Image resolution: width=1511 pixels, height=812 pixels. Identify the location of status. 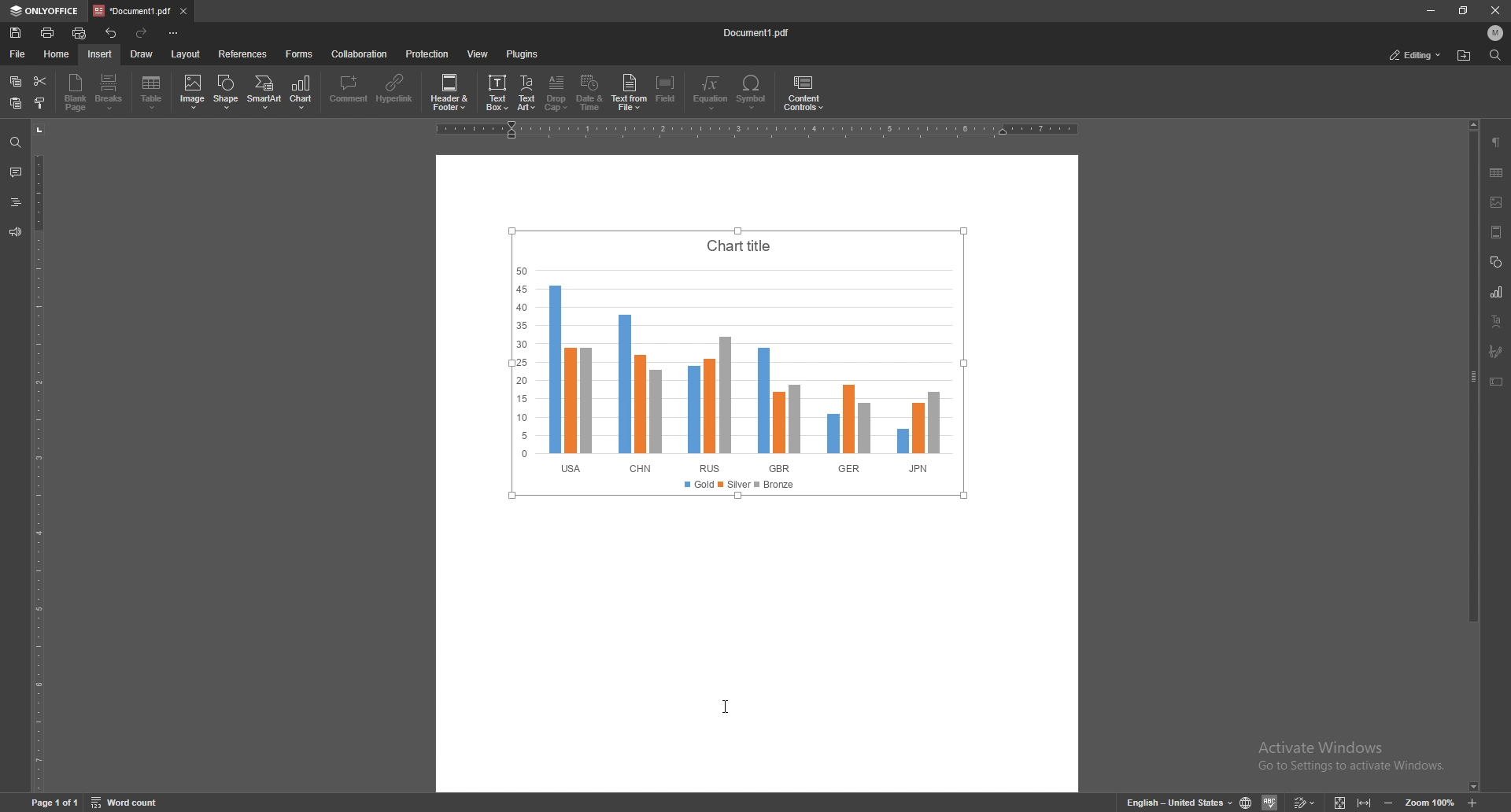
(1415, 54).